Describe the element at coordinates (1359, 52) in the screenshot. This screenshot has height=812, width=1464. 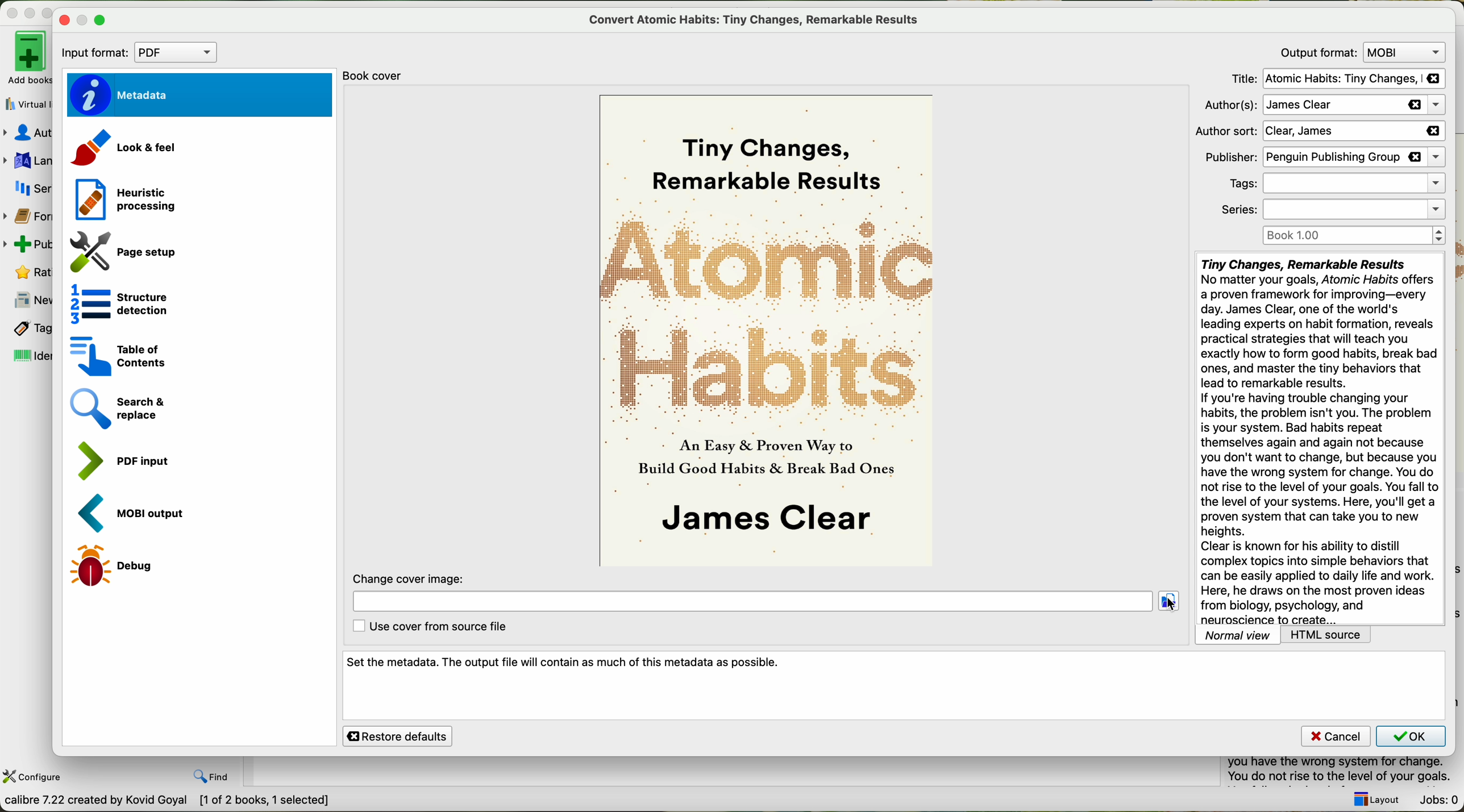
I see `output format: MOVI` at that location.